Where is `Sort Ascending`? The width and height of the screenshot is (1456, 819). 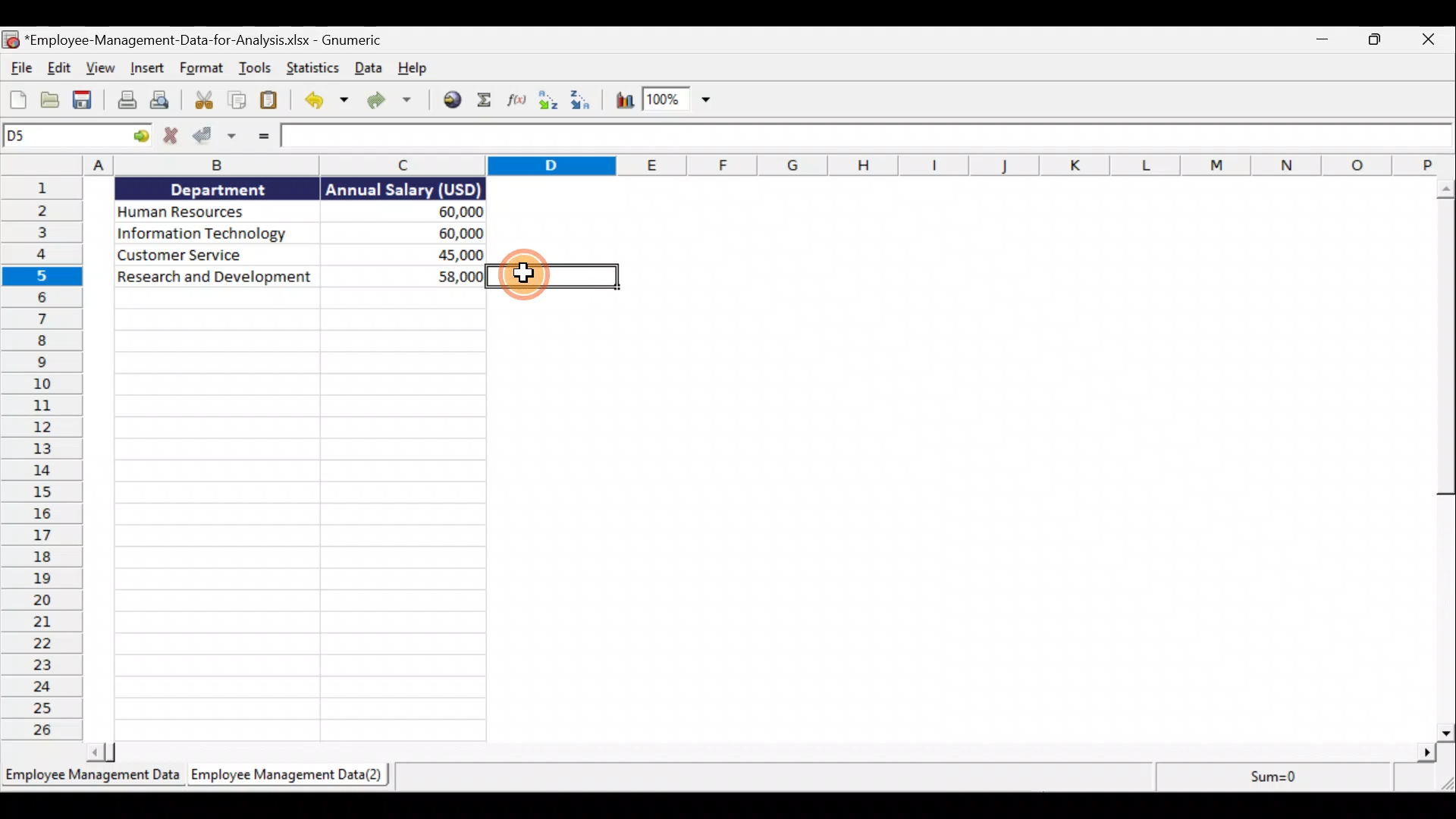
Sort Ascending is located at coordinates (549, 103).